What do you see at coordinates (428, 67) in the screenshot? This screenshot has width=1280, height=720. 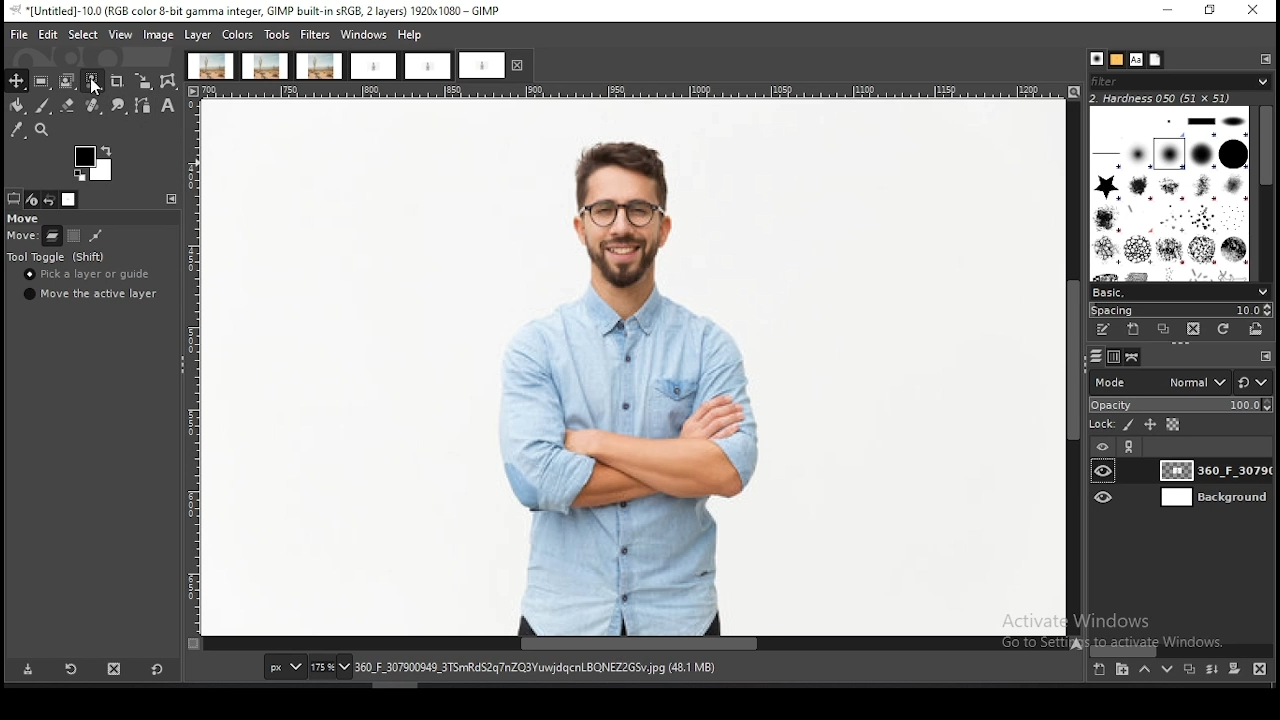 I see `project tab` at bounding box center [428, 67].